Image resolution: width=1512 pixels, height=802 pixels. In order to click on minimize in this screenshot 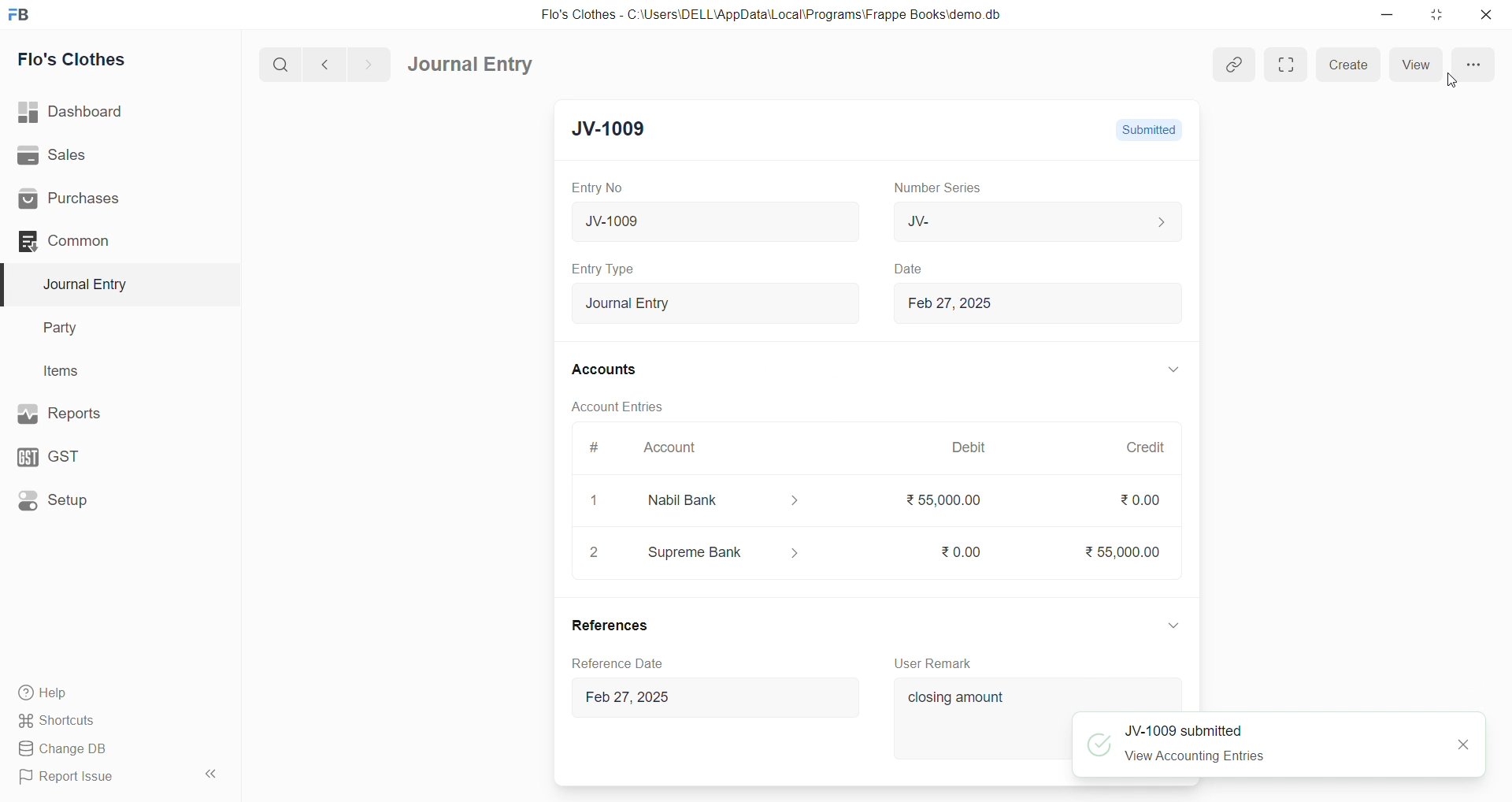, I will do `click(1384, 13)`.